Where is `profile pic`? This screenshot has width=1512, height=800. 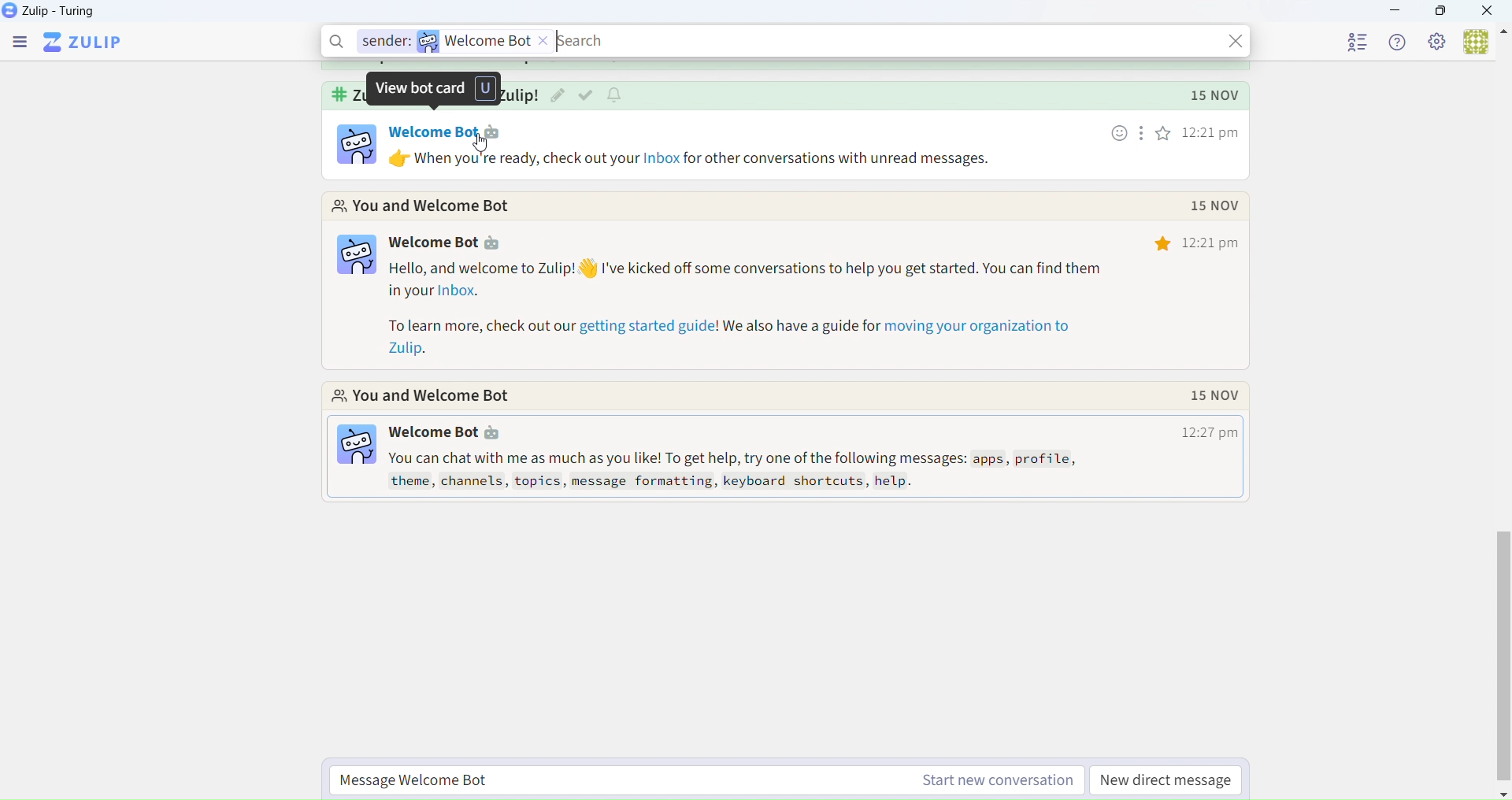 profile pic is located at coordinates (354, 144).